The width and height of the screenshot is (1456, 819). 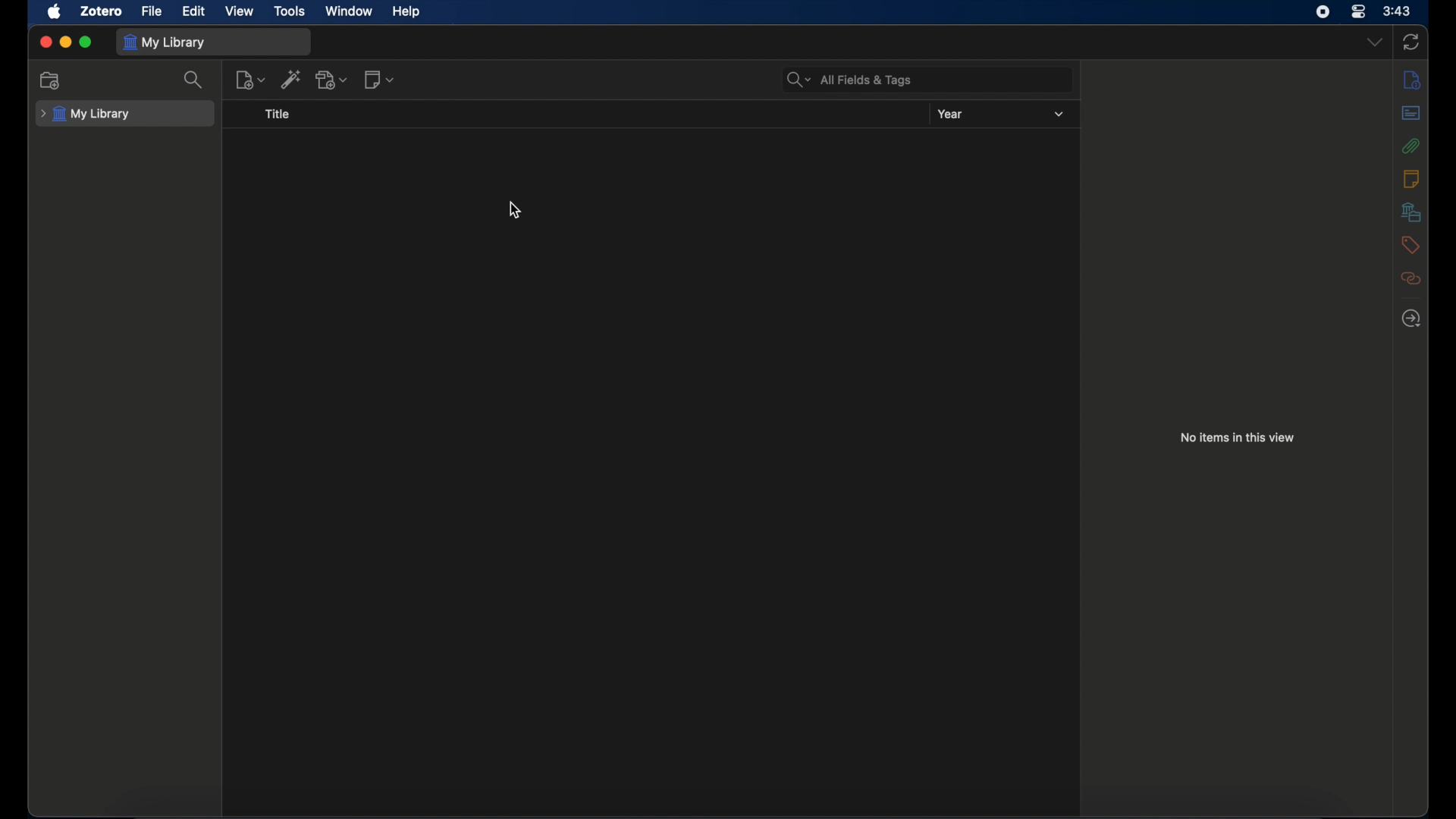 What do you see at coordinates (1410, 178) in the screenshot?
I see `notes` at bounding box center [1410, 178].